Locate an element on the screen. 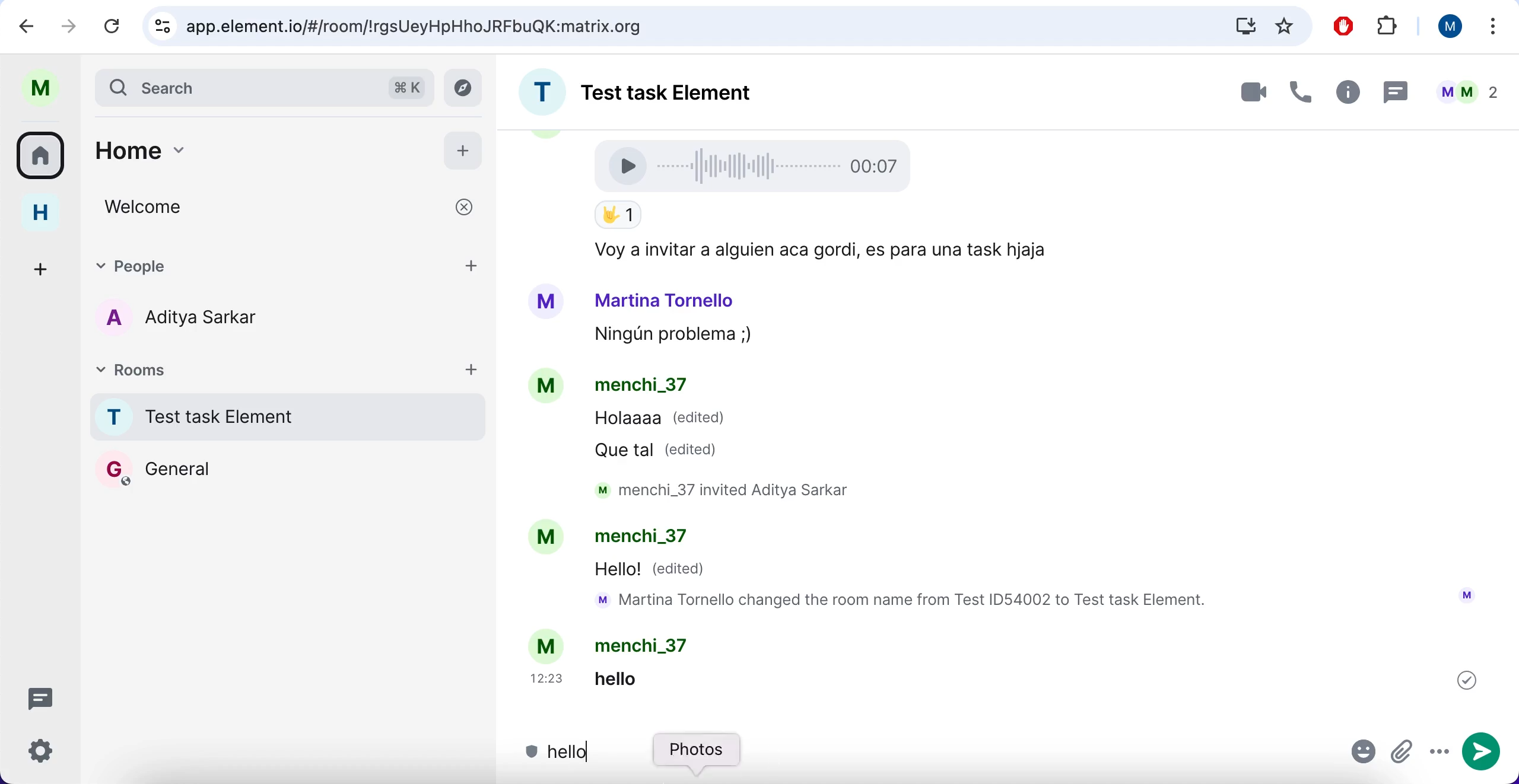 The image size is (1519, 784). mM Martina Tornello changed the room name from Test ID54002 to Test task Element. is located at coordinates (907, 601).